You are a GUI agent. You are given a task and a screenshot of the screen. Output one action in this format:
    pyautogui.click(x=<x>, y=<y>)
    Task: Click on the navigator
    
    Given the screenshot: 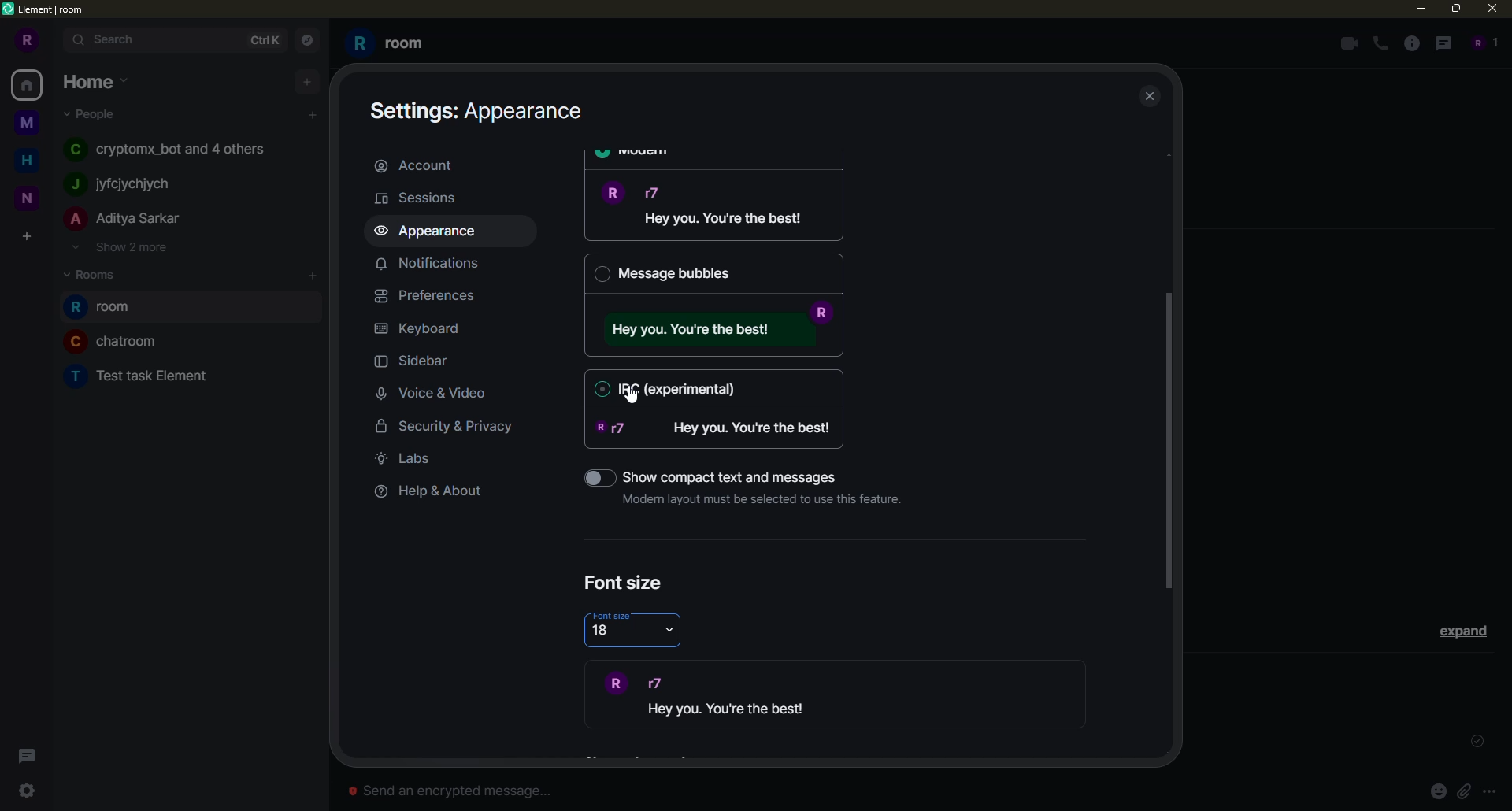 What is the action you would take?
    pyautogui.click(x=306, y=41)
    